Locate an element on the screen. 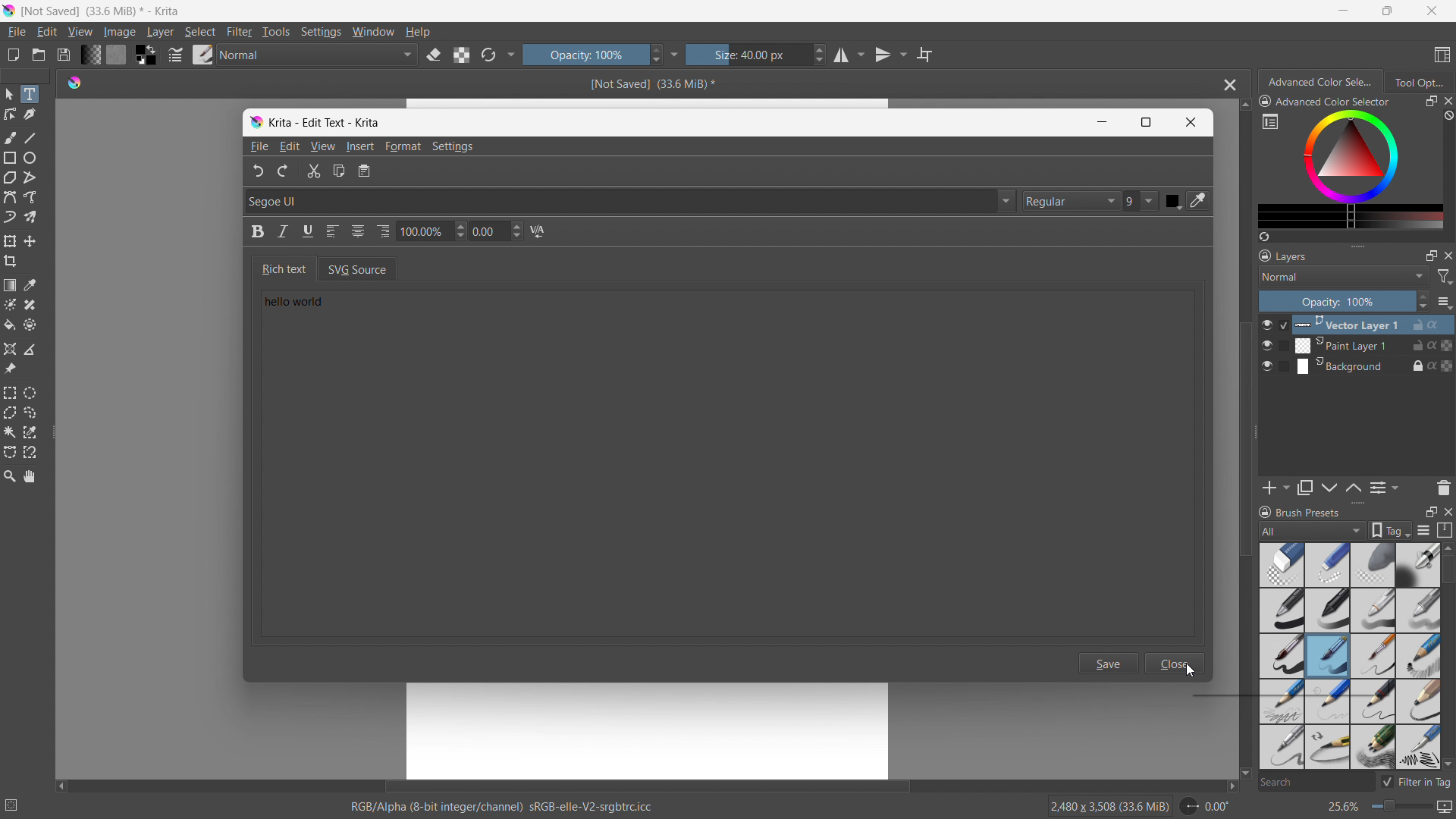 The image size is (1456, 819). view is located at coordinates (80, 32).